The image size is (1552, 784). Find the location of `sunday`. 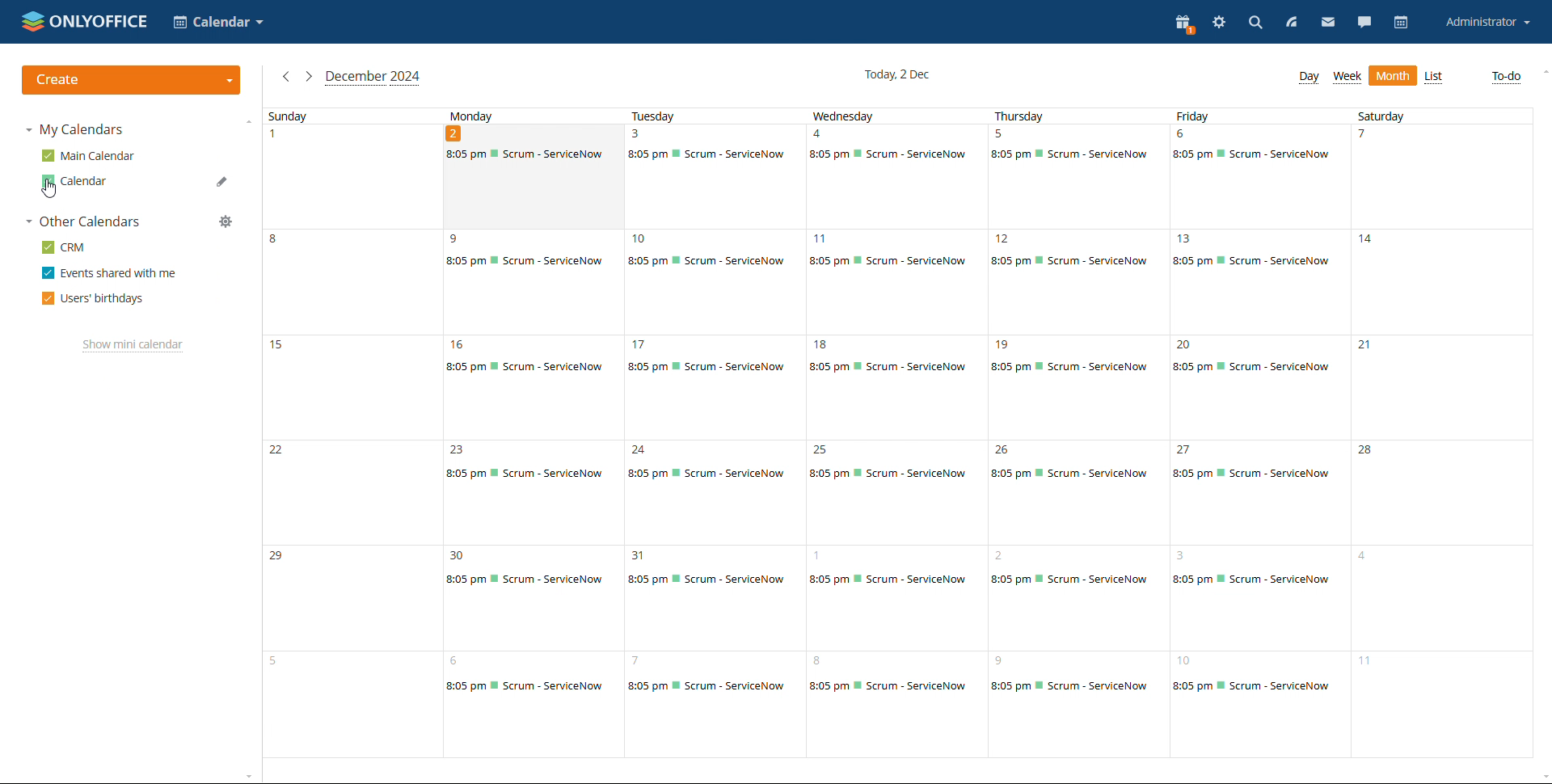

sunday is located at coordinates (352, 433).